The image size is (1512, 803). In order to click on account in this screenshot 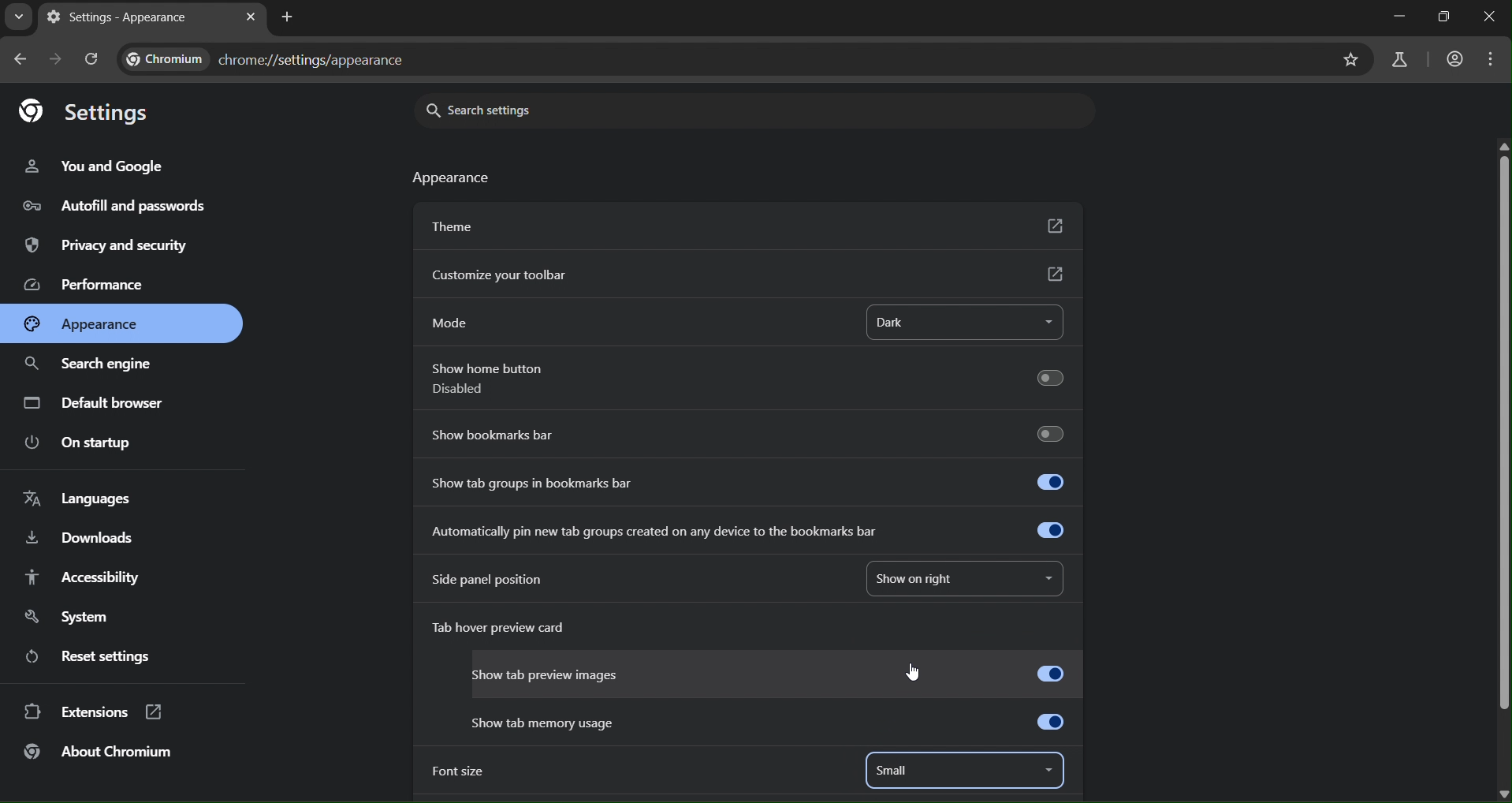, I will do `click(1454, 60)`.